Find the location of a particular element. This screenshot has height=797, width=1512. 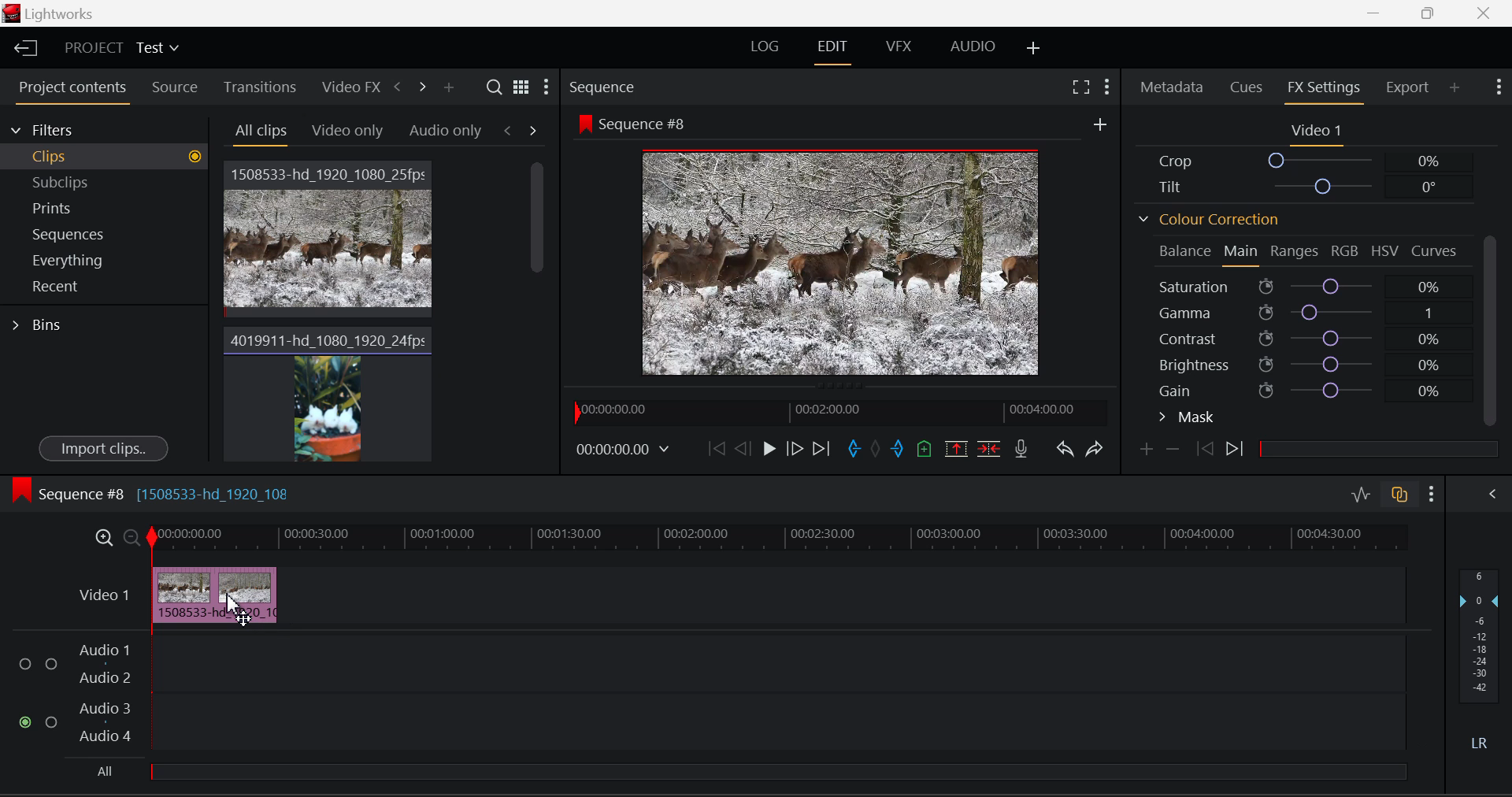

Video FX Tab is located at coordinates (351, 88).